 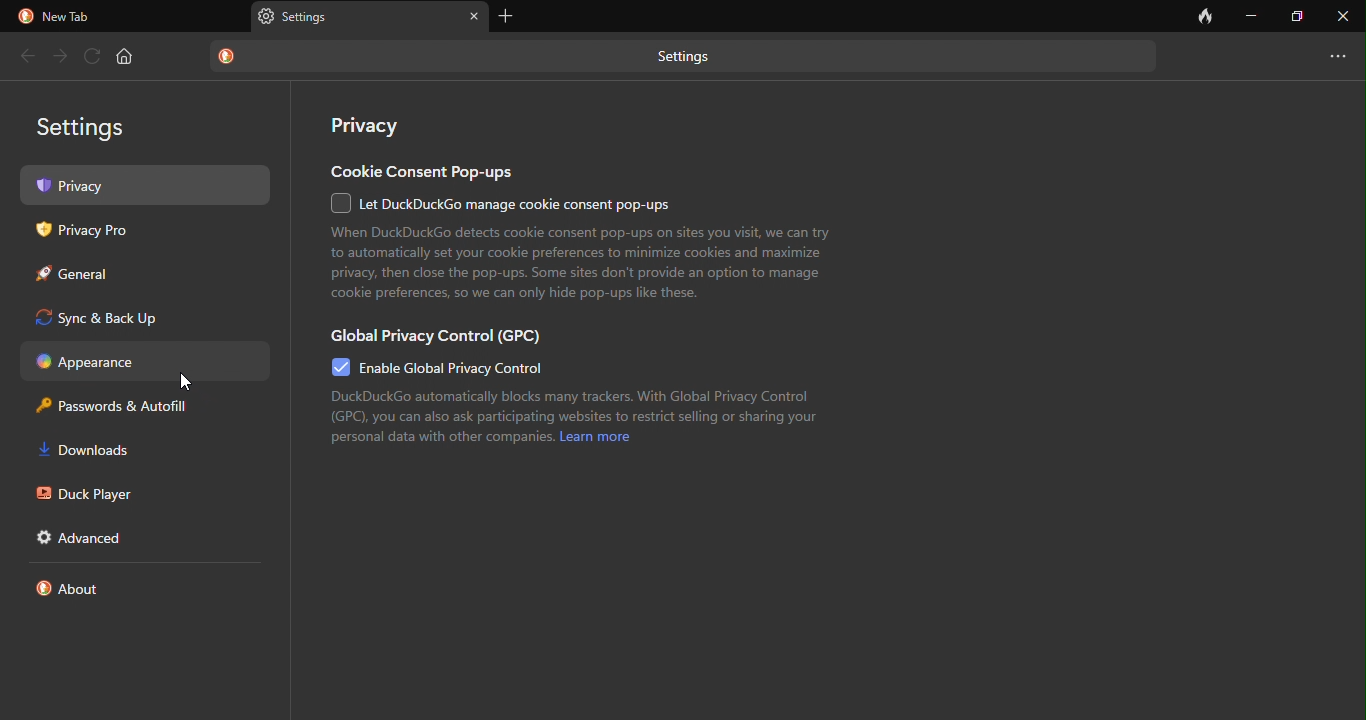 What do you see at coordinates (588, 262) in the screenshot?
I see `text on cookie consent pop-ups` at bounding box center [588, 262].